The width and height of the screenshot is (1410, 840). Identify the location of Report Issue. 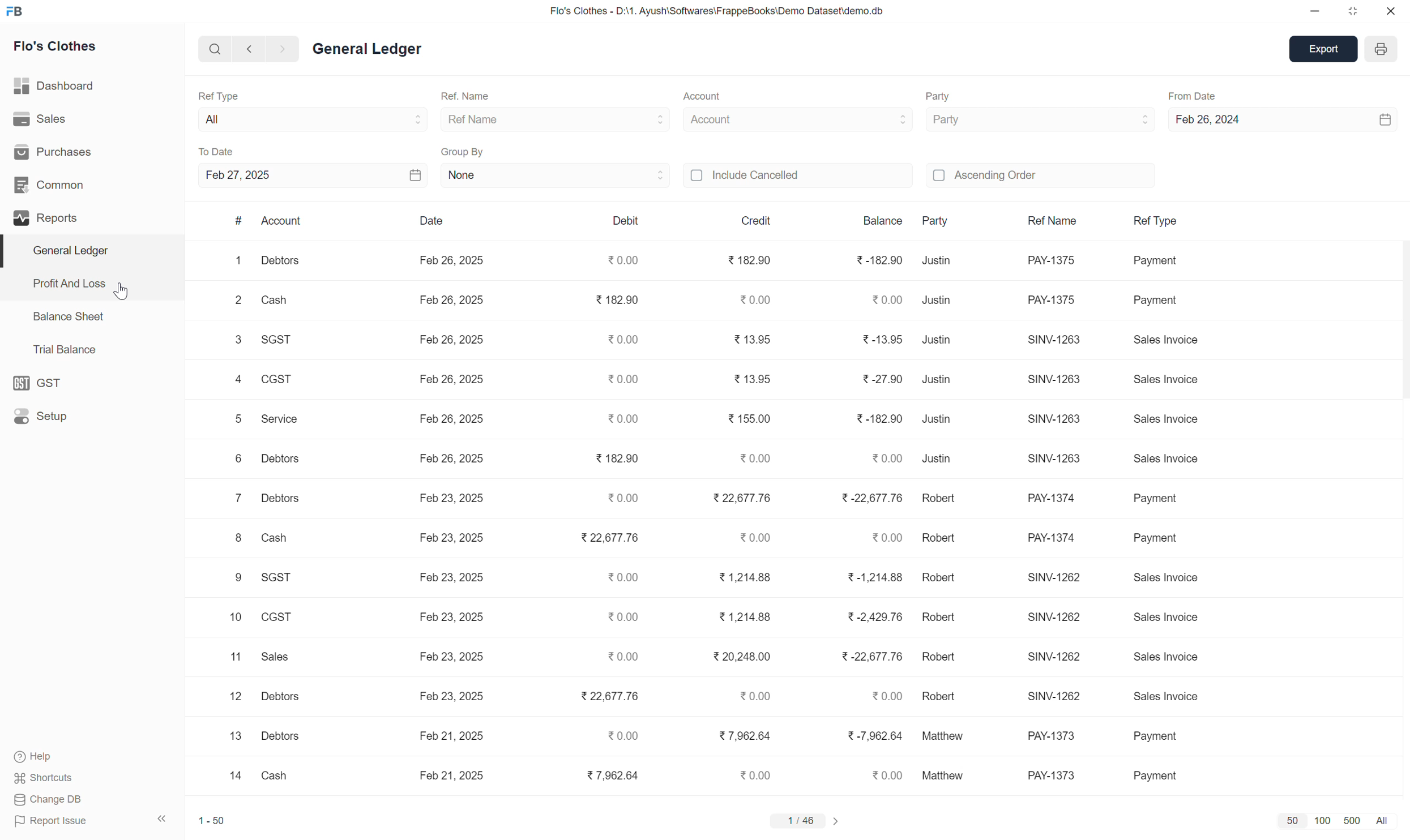
(92, 822).